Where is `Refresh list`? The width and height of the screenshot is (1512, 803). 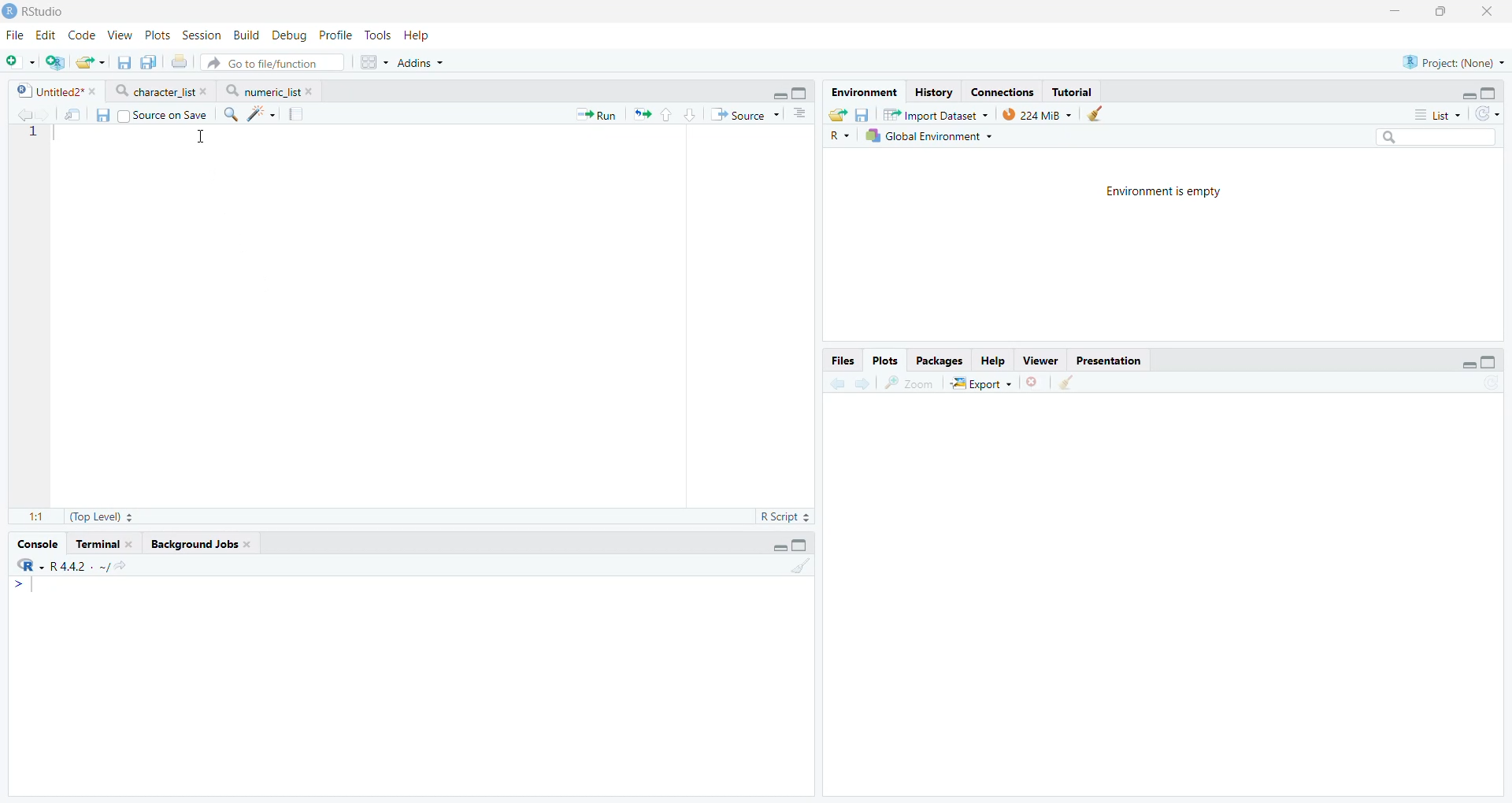 Refresh list is located at coordinates (1492, 384).